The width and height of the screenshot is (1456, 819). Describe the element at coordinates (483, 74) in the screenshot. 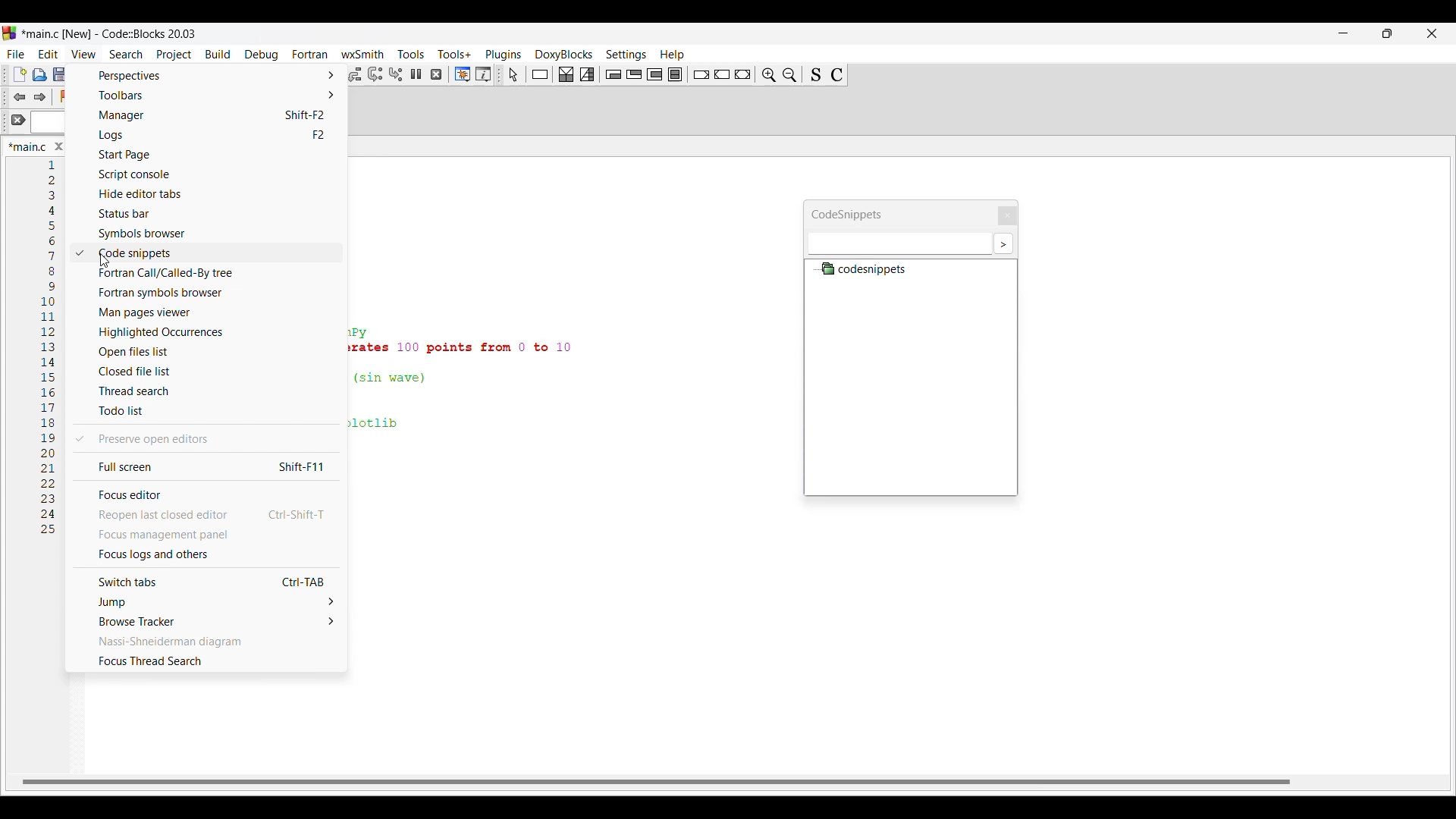

I see `Various info` at that location.